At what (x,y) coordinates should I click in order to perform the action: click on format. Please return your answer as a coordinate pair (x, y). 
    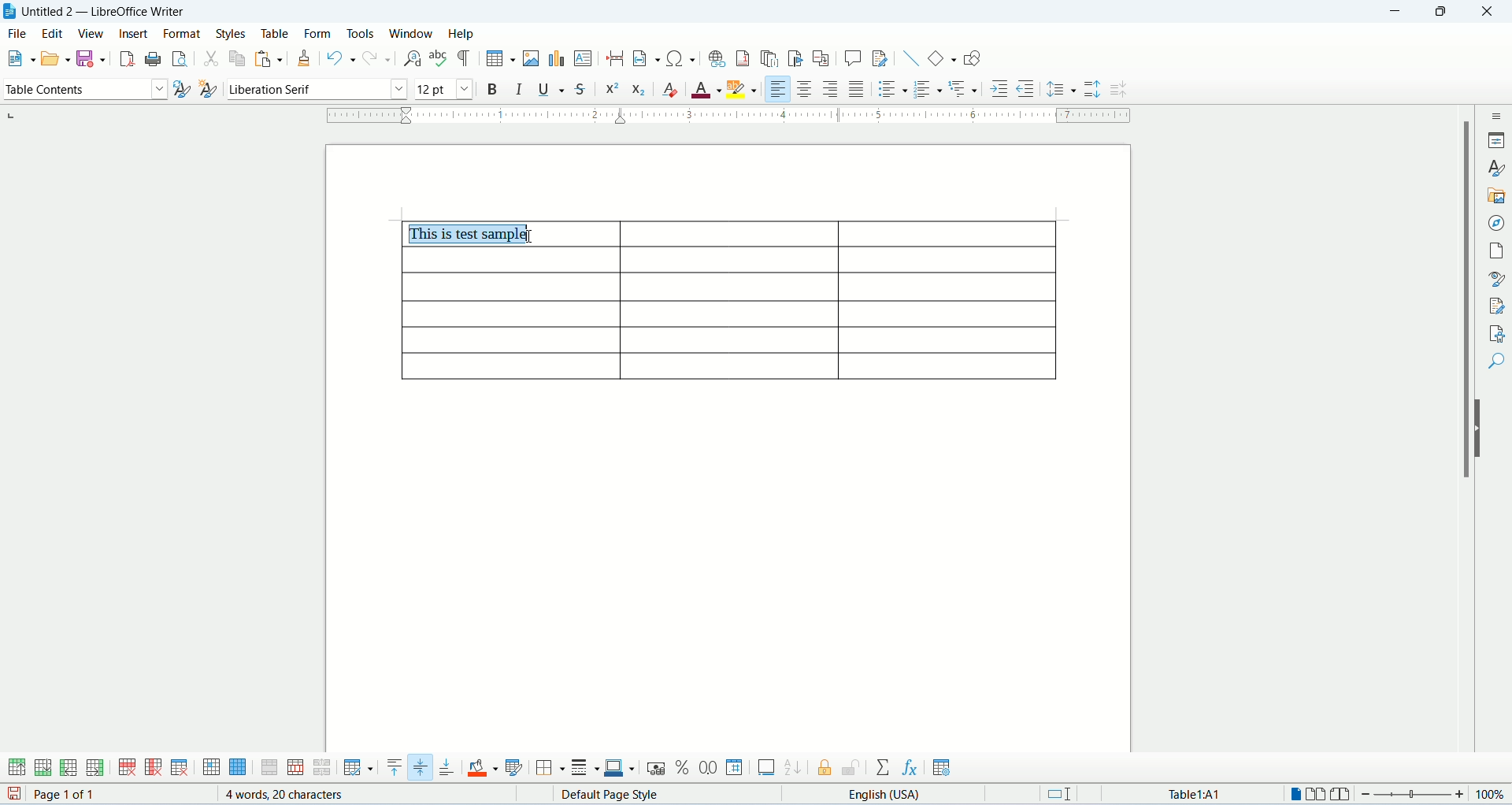
    Looking at the image, I should click on (184, 33).